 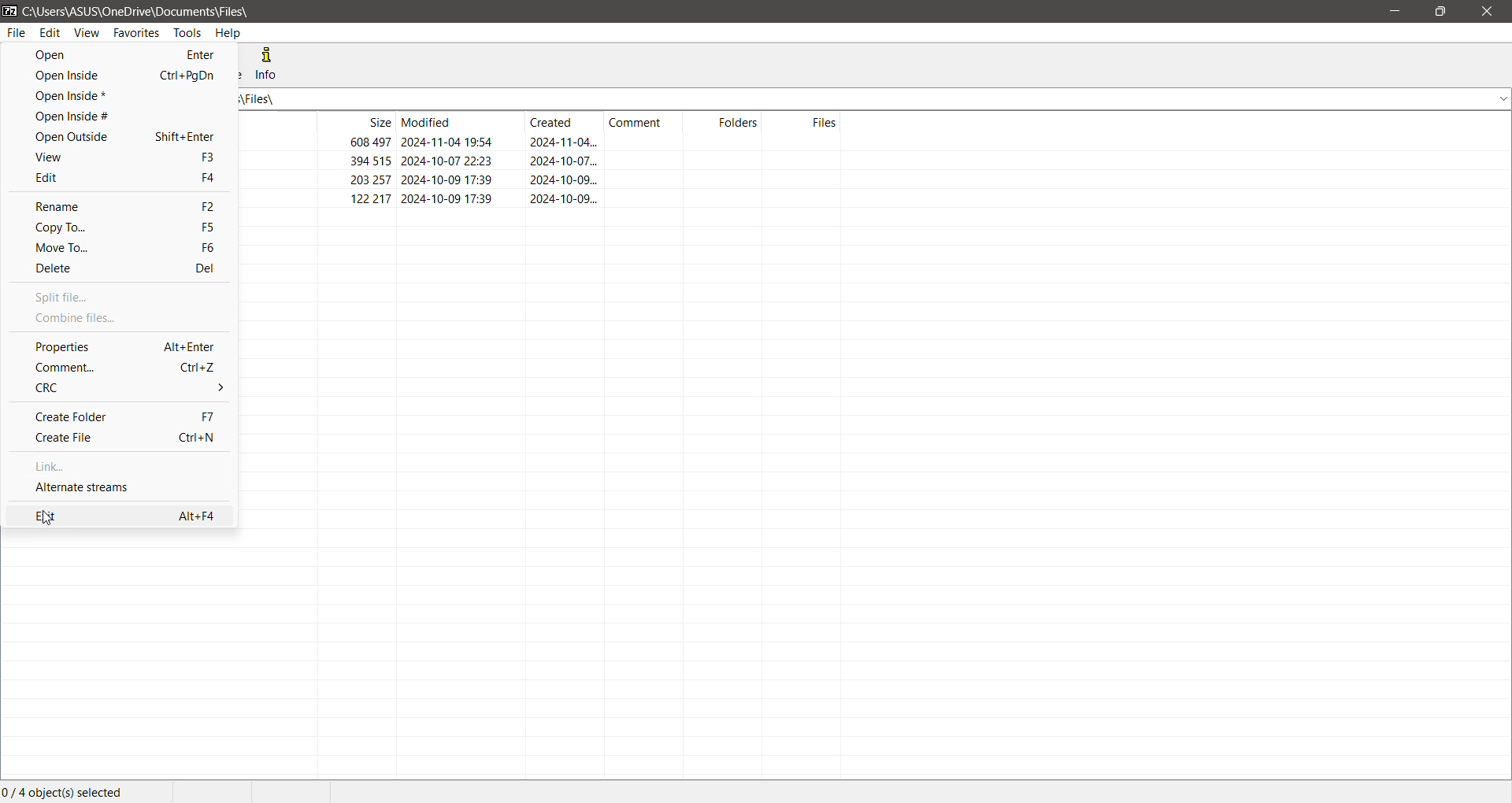 What do you see at coordinates (451, 179) in the screenshot?
I see `2024-10-09 17:39` at bounding box center [451, 179].